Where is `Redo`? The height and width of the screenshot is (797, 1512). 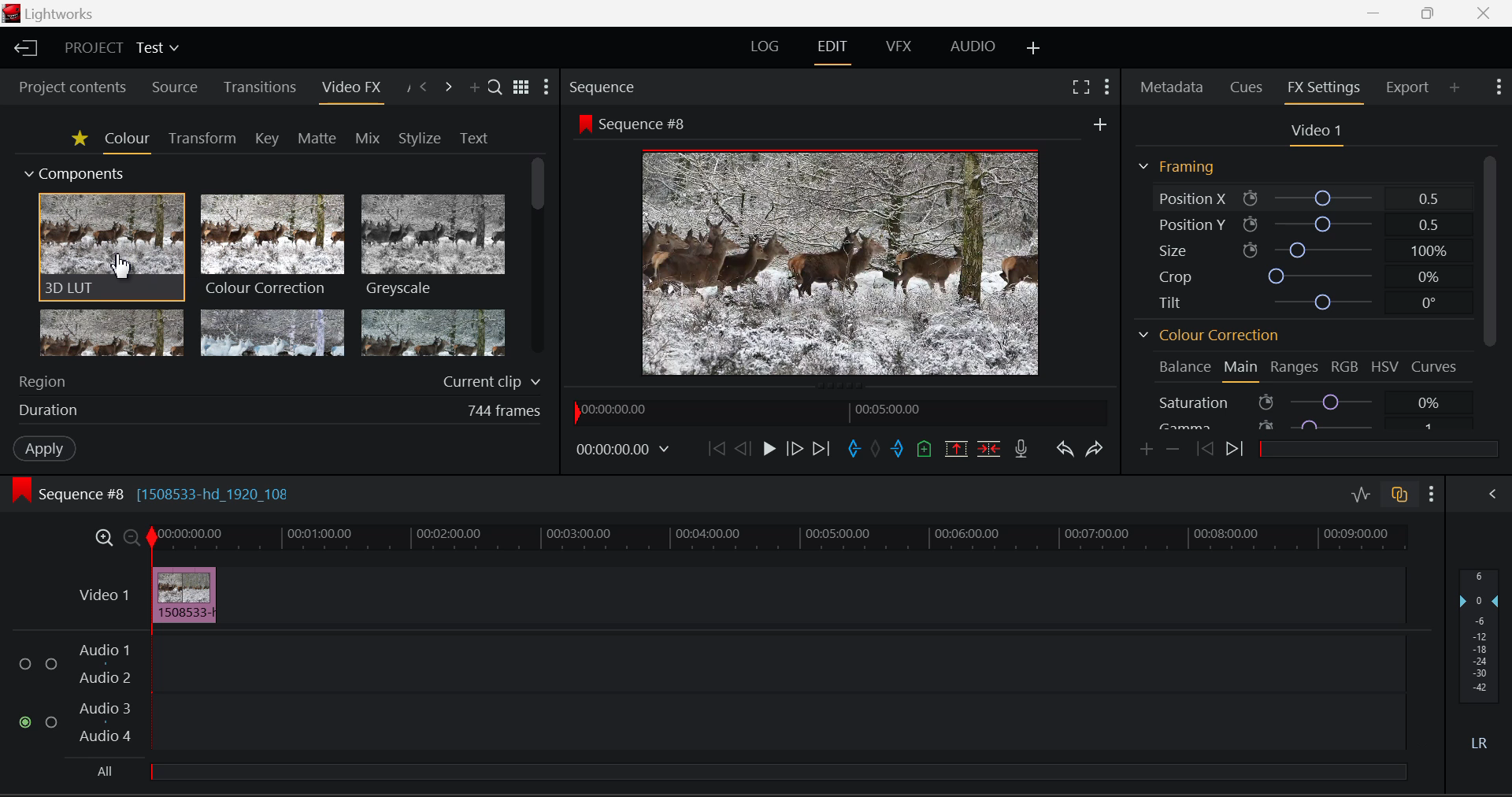 Redo is located at coordinates (1095, 450).